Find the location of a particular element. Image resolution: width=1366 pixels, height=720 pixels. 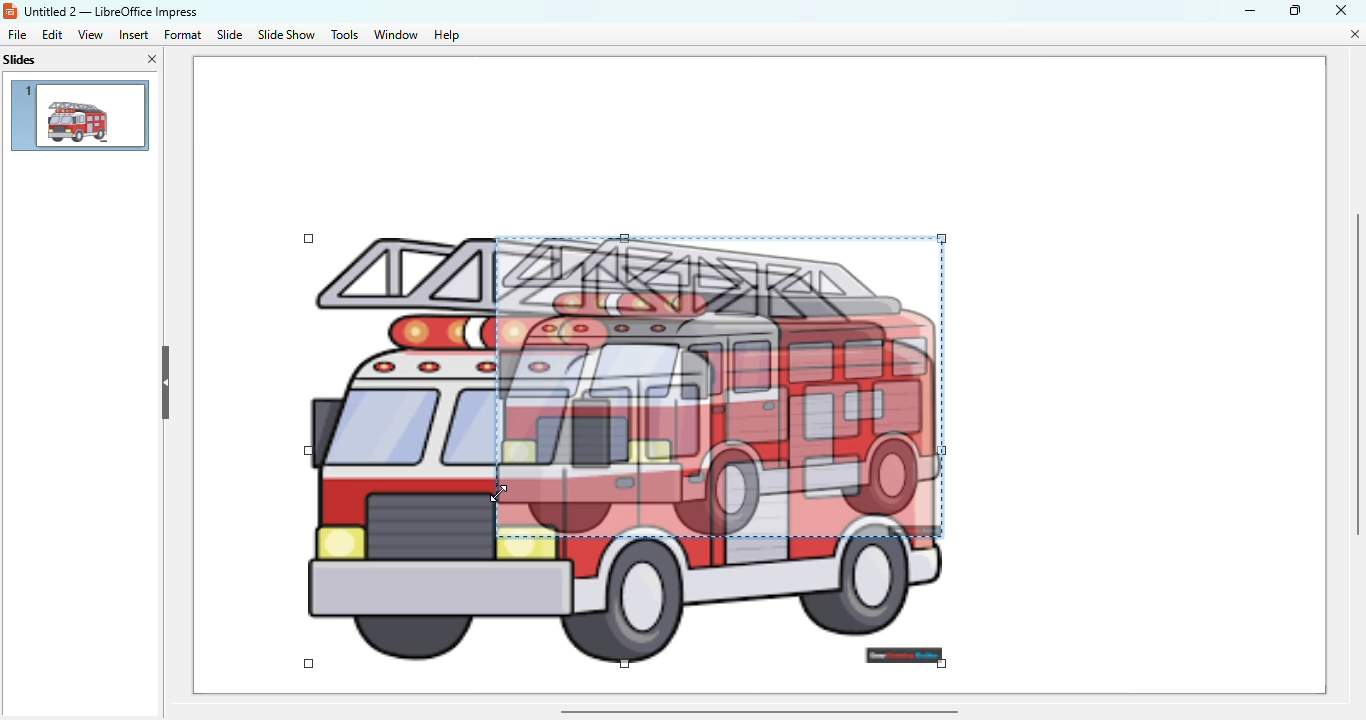

resizing preview is located at coordinates (720, 385).